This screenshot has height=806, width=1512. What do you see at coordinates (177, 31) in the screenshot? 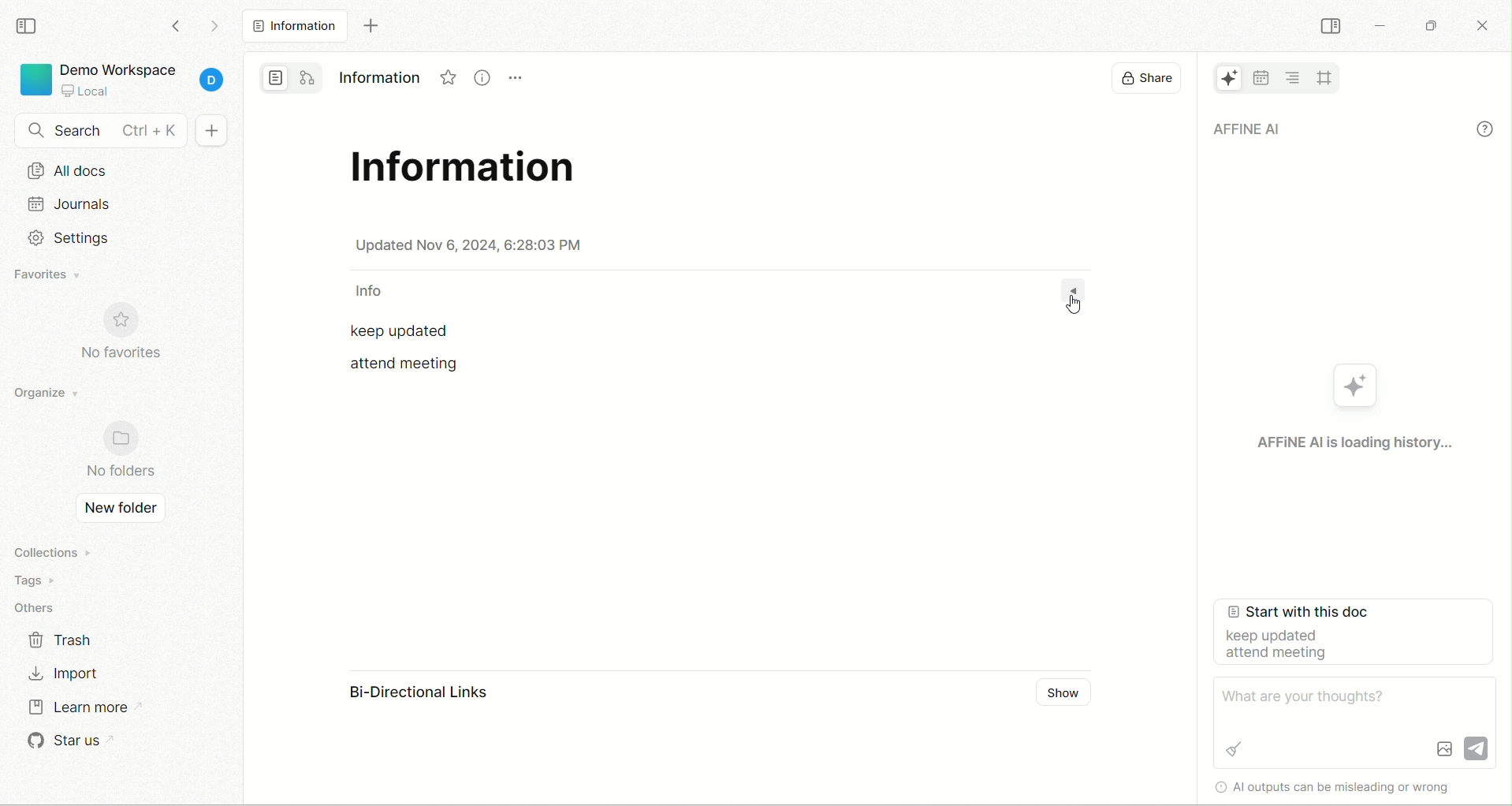
I see `go back` at bounding box center [177, 31].